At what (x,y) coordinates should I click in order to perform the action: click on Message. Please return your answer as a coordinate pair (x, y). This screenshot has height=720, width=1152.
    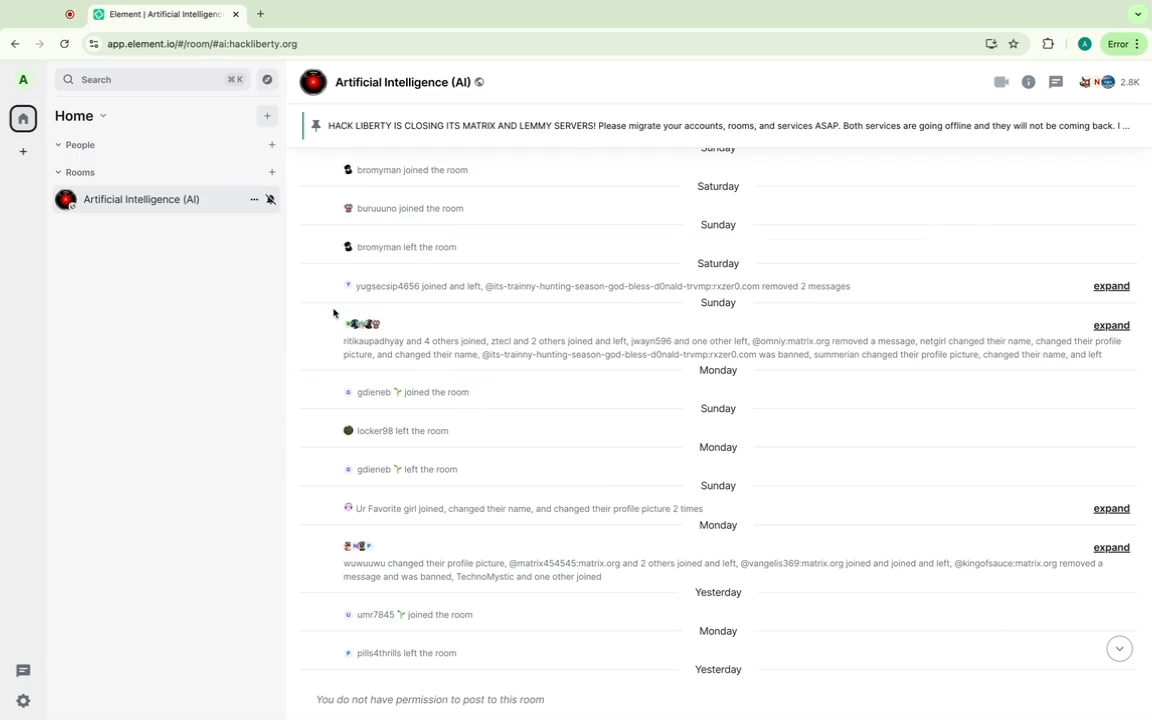
    Looking at the image, I should click on (396, 470).